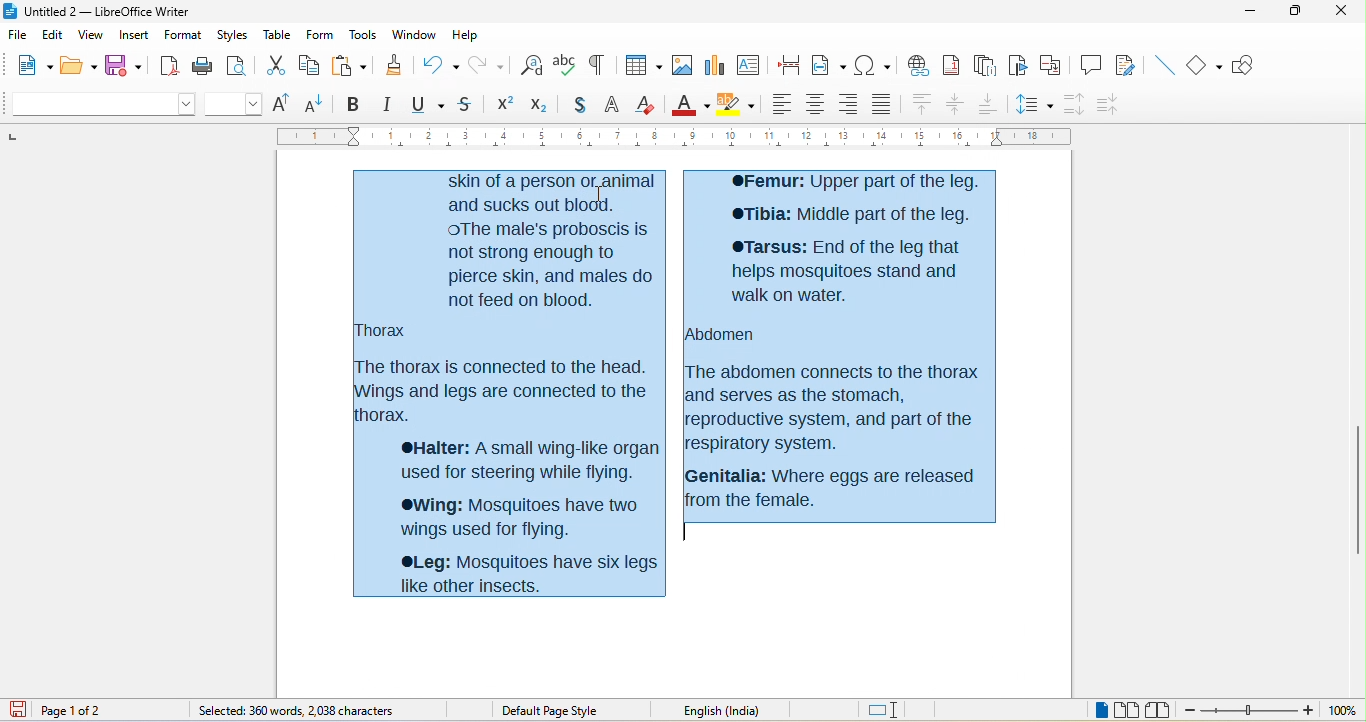  What do you see at coordinates (1023, 712) in the screenshot?
I see `level 1` at bounding box center [1023, 712].